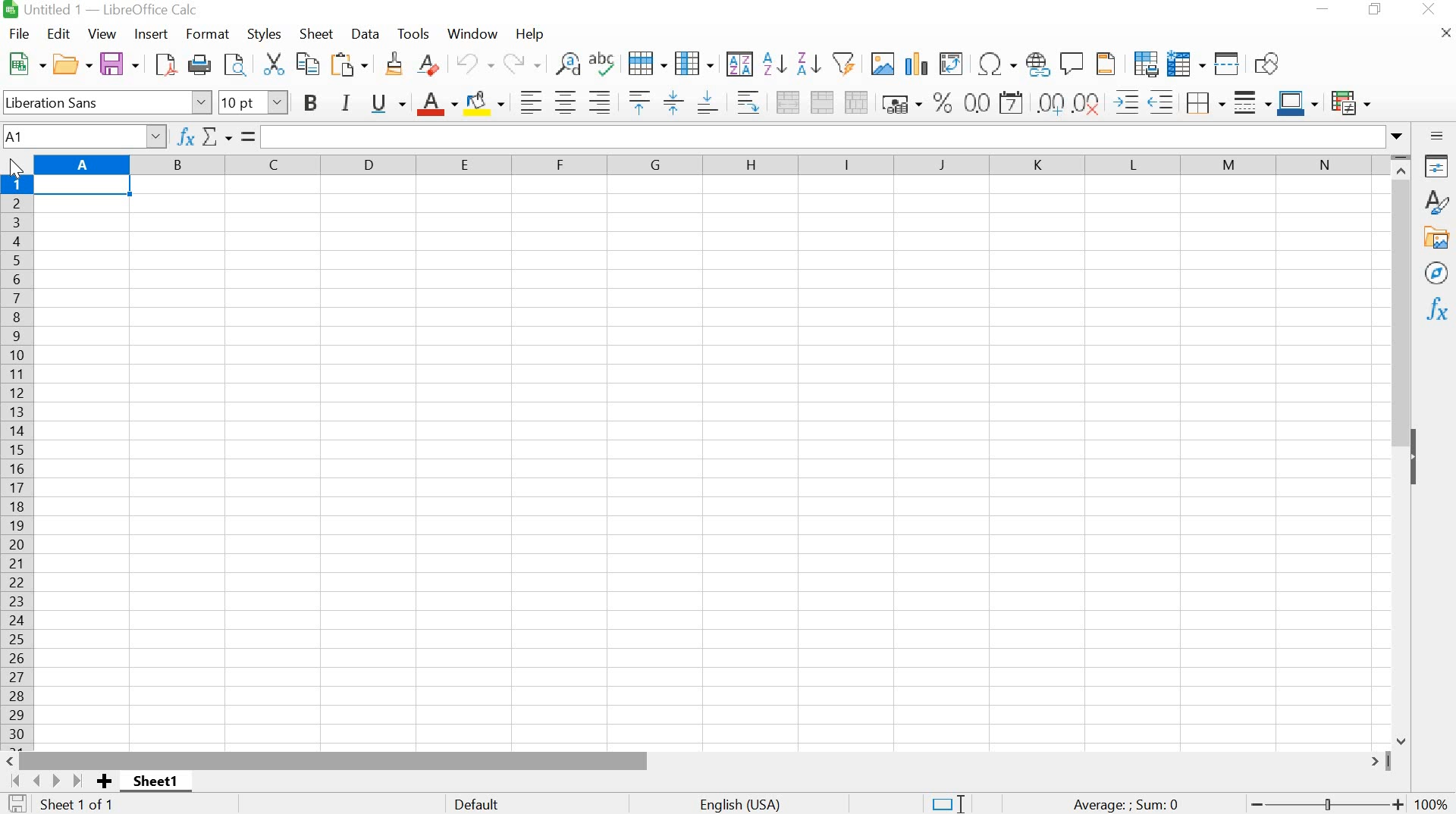  What do you see at coordinates (1036, 64) in the screenshot?
I see `Insert hyperlink` at bounding box center [1036, 64].